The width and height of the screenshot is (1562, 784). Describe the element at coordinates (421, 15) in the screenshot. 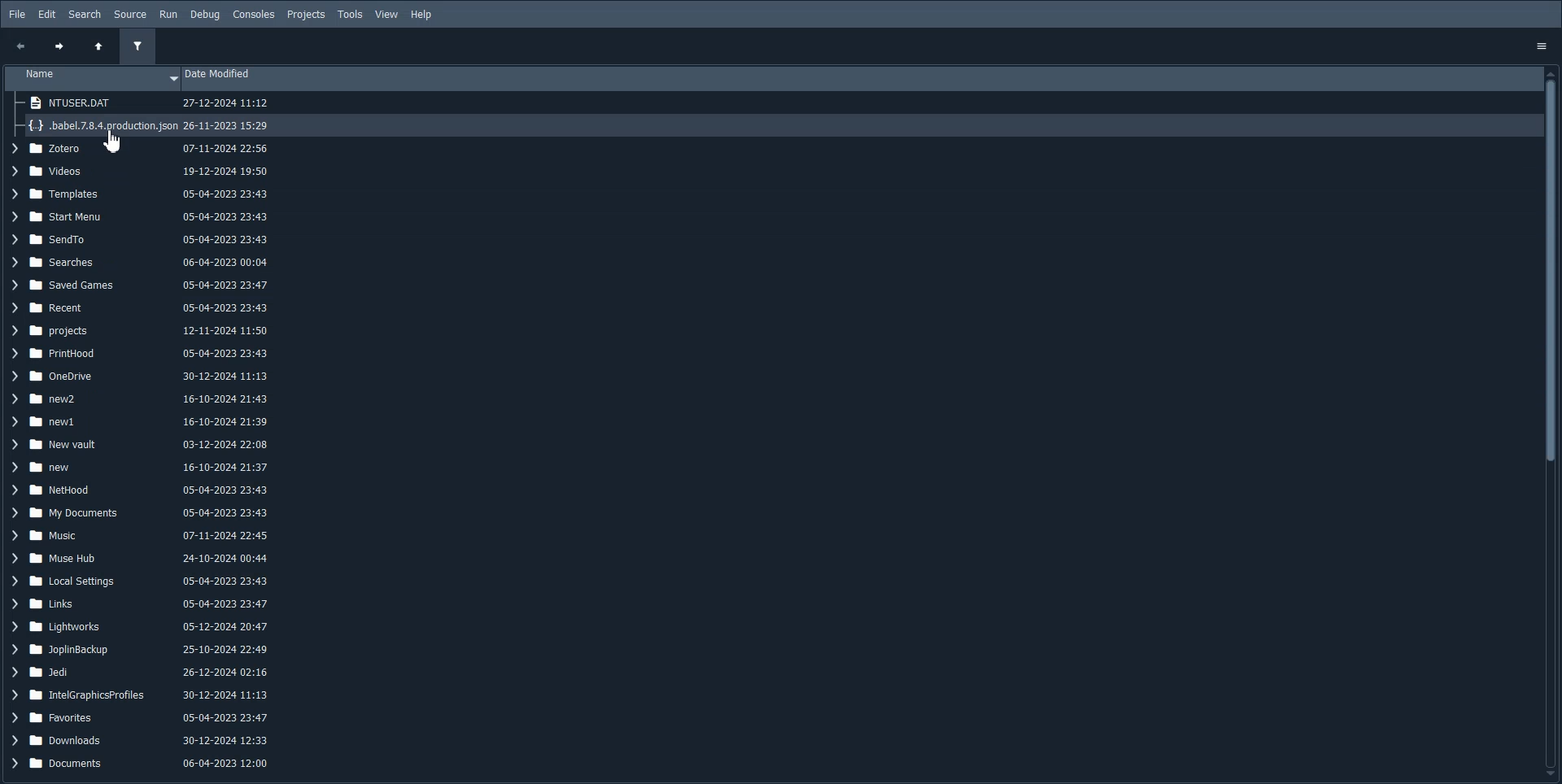

I see `Help` at that location.